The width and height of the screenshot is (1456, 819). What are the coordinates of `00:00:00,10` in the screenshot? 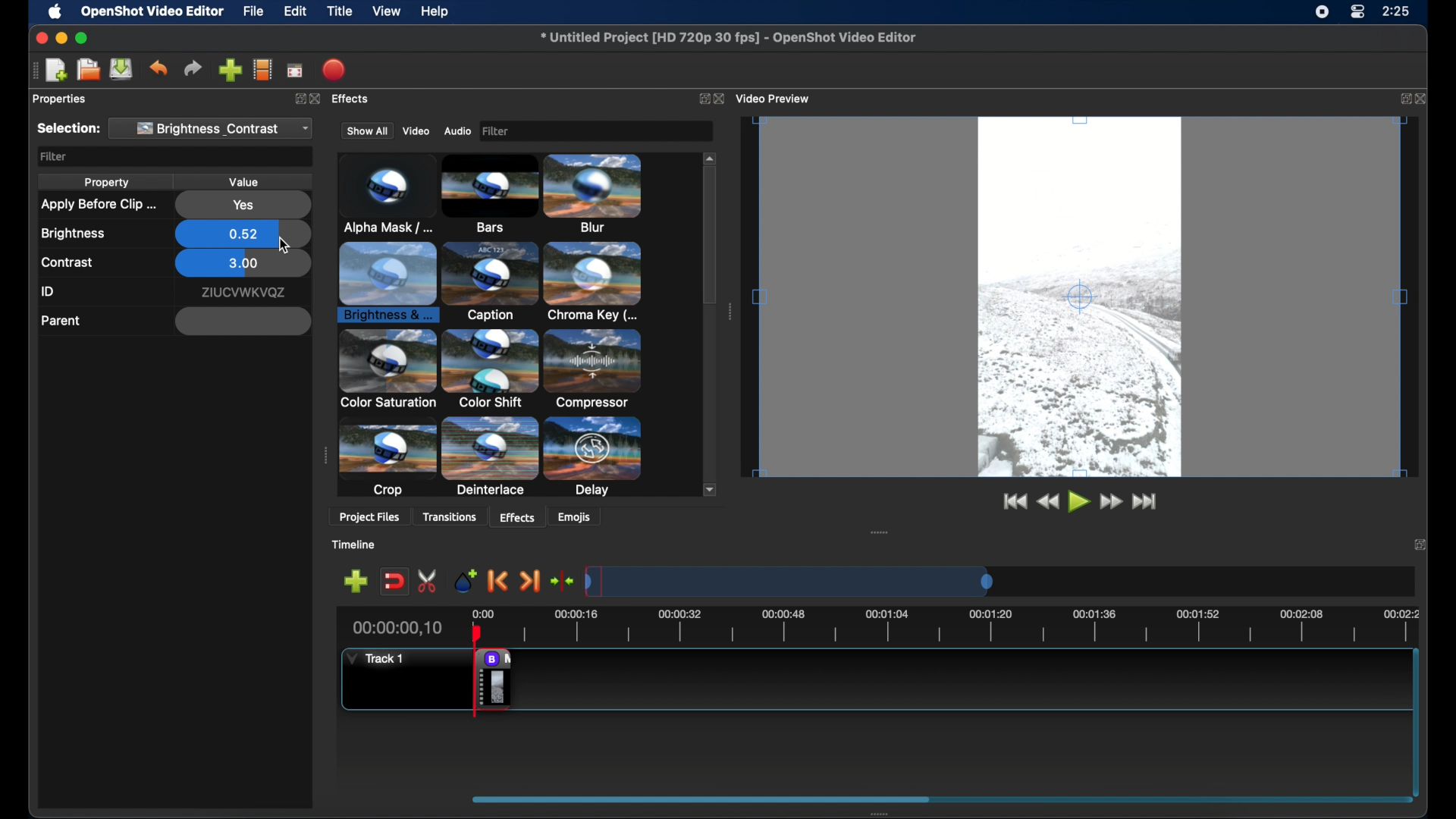 It's located at (397, 628).